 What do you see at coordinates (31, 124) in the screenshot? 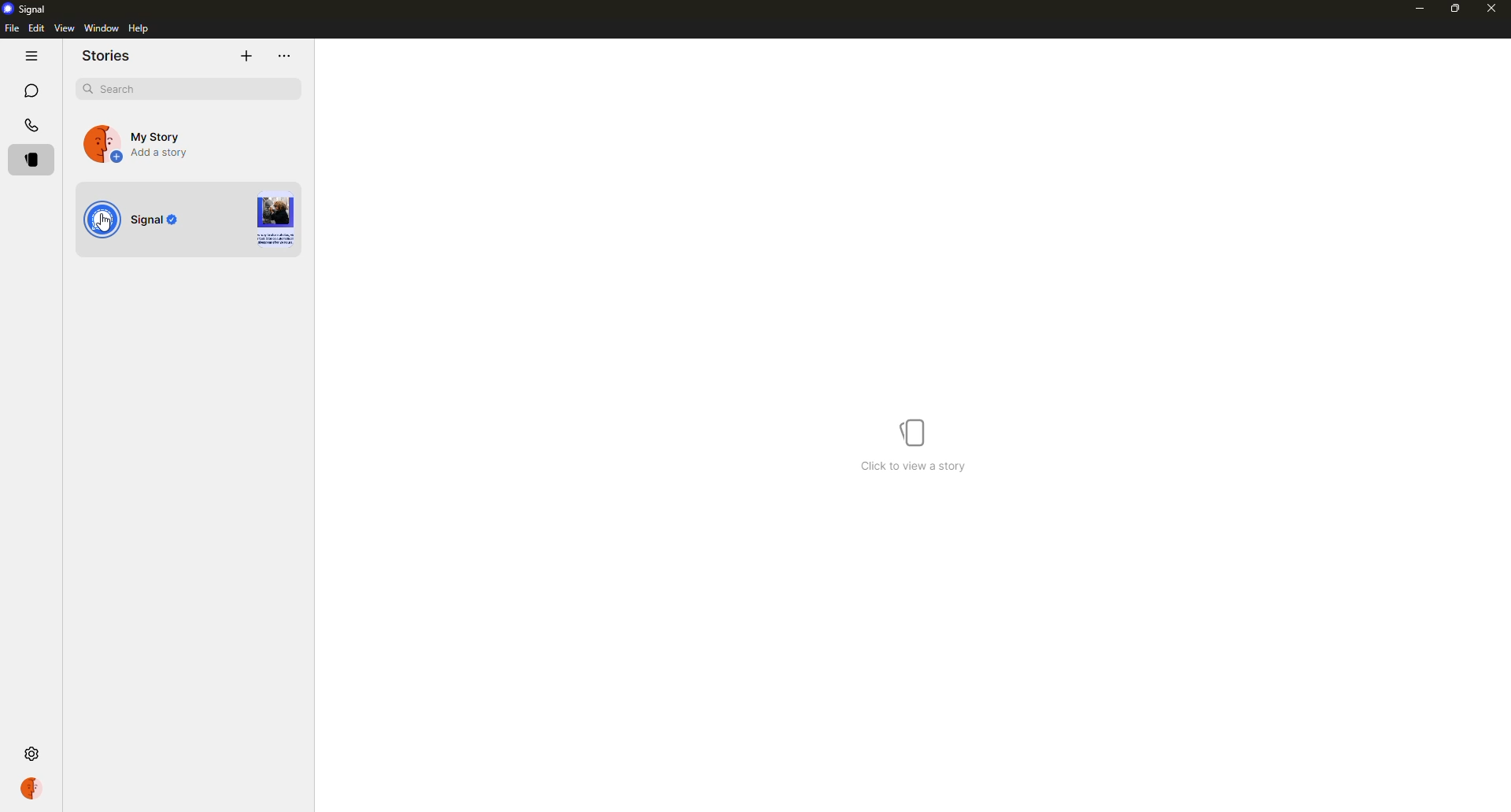
I see `calls` at bounding box center [31, 124].